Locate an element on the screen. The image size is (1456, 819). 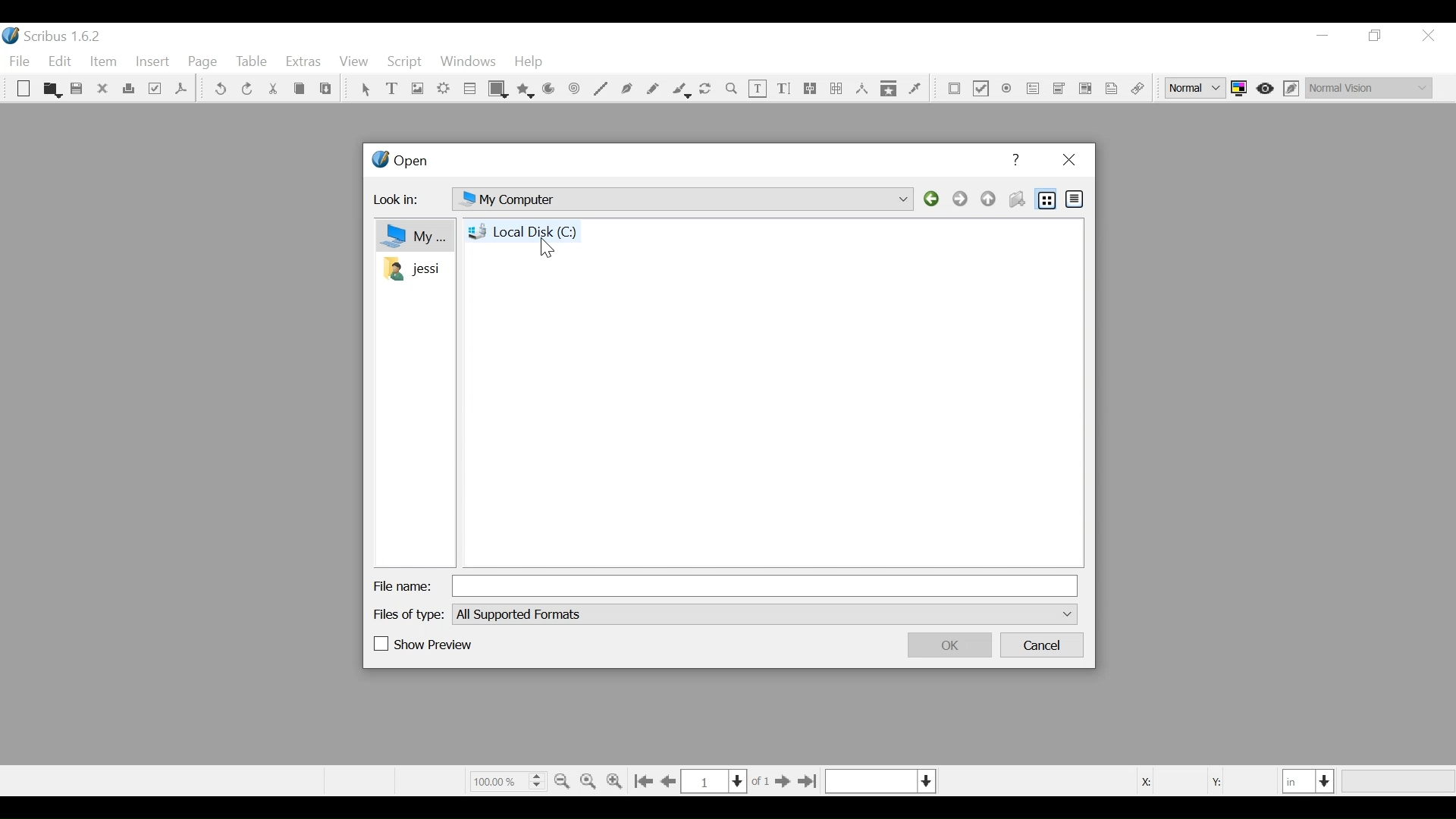
Edit is located at coordinates (61, 62).